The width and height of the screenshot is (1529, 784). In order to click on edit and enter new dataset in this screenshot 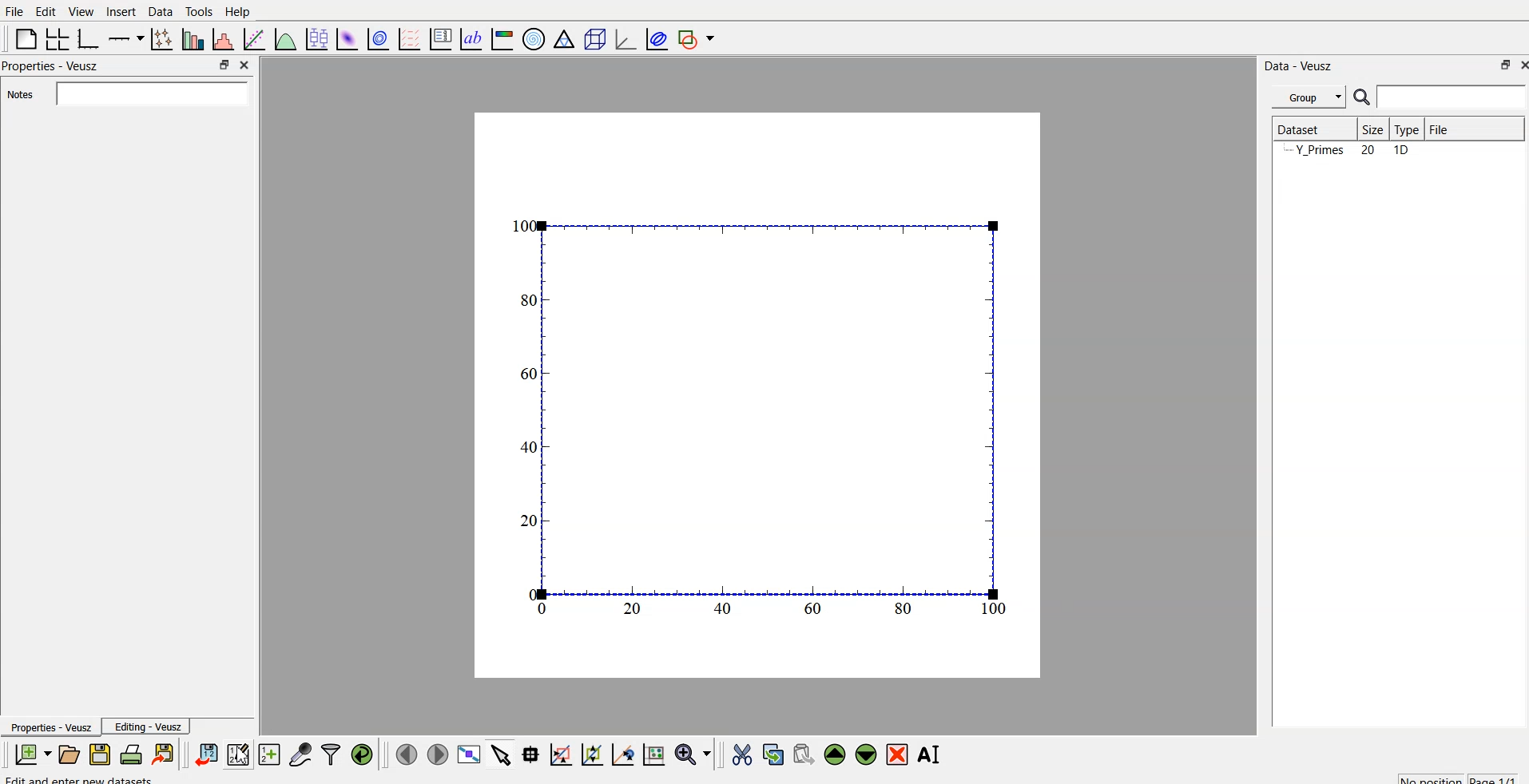, I will do `click(80, 778)`.